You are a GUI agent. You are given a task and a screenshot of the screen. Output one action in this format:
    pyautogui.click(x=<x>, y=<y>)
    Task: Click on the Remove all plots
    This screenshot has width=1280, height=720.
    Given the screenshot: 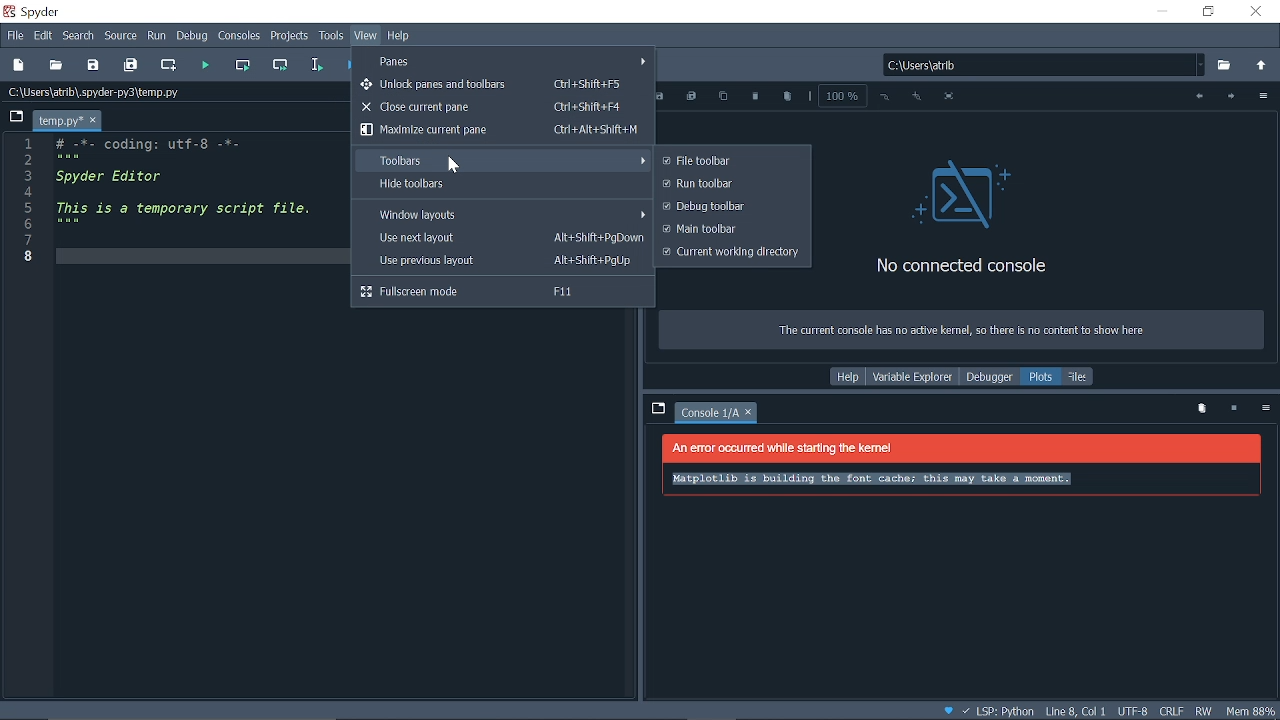 What is the action you would take?
    pyautogui.click(x=787, y=98)
    